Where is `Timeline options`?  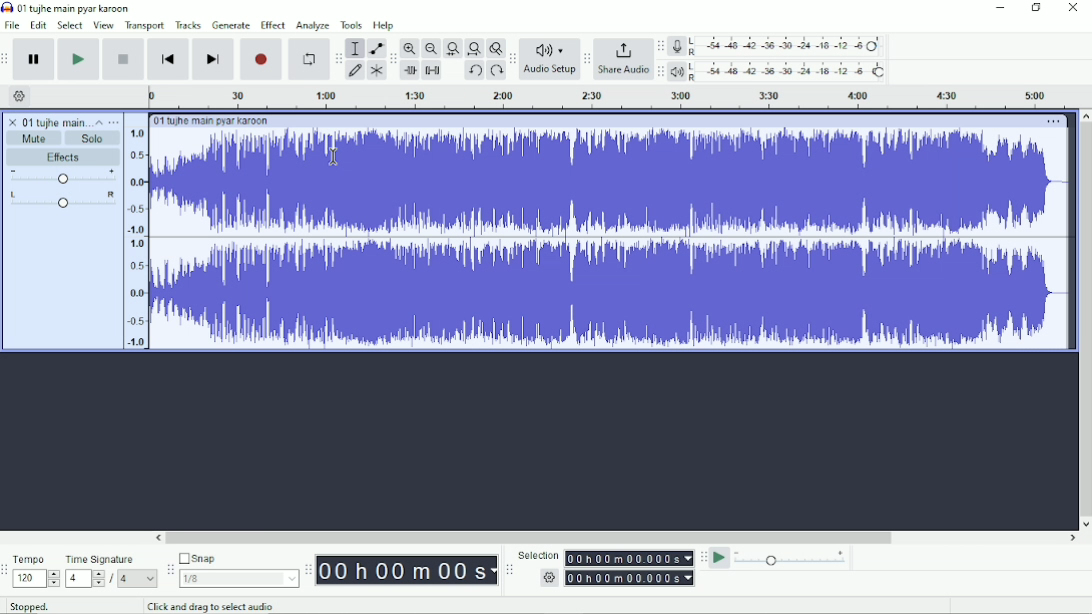 Timeline options is located at coordinates (20, 97).